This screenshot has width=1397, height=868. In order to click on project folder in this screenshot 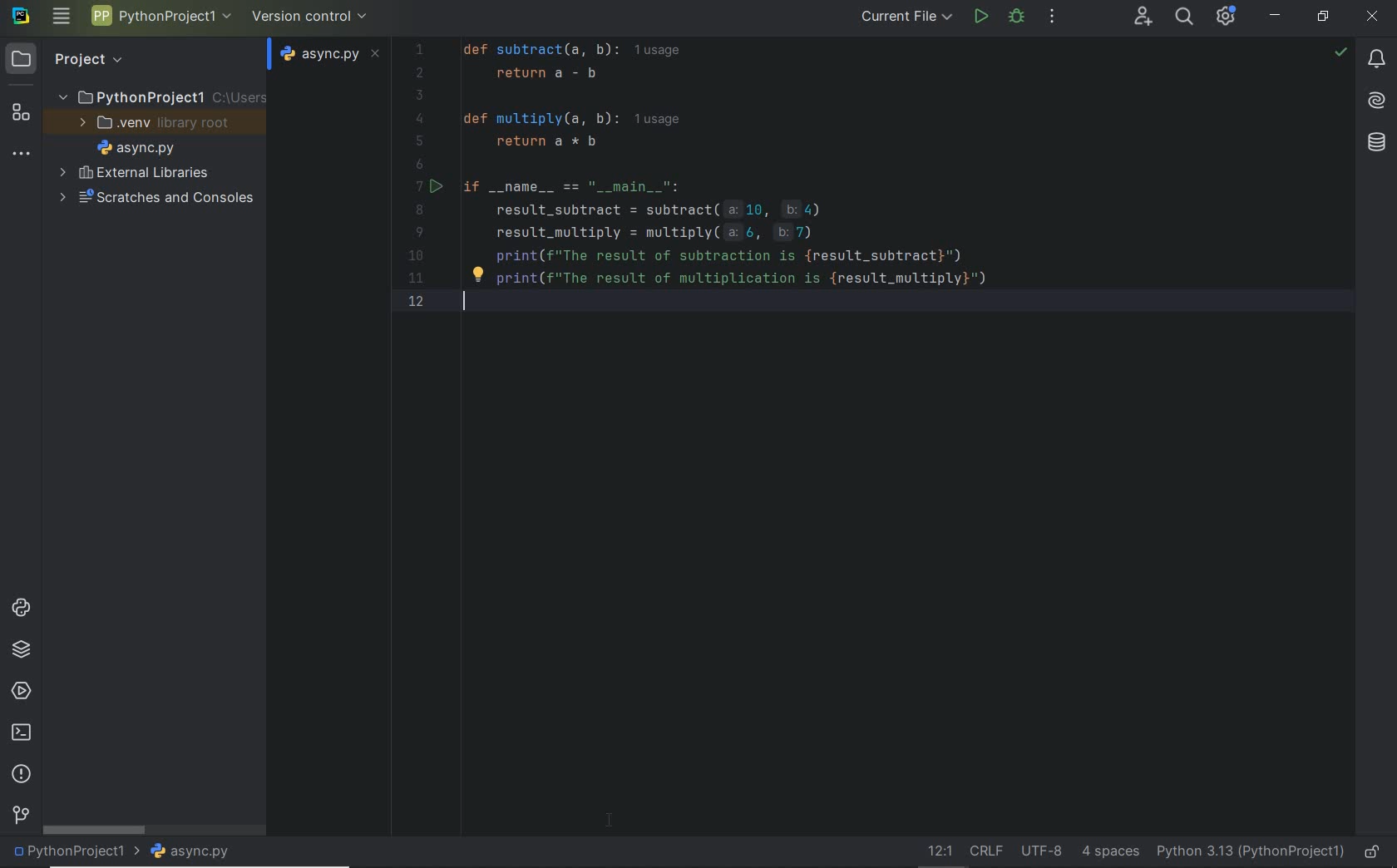, I will do `click(160, 97)`.